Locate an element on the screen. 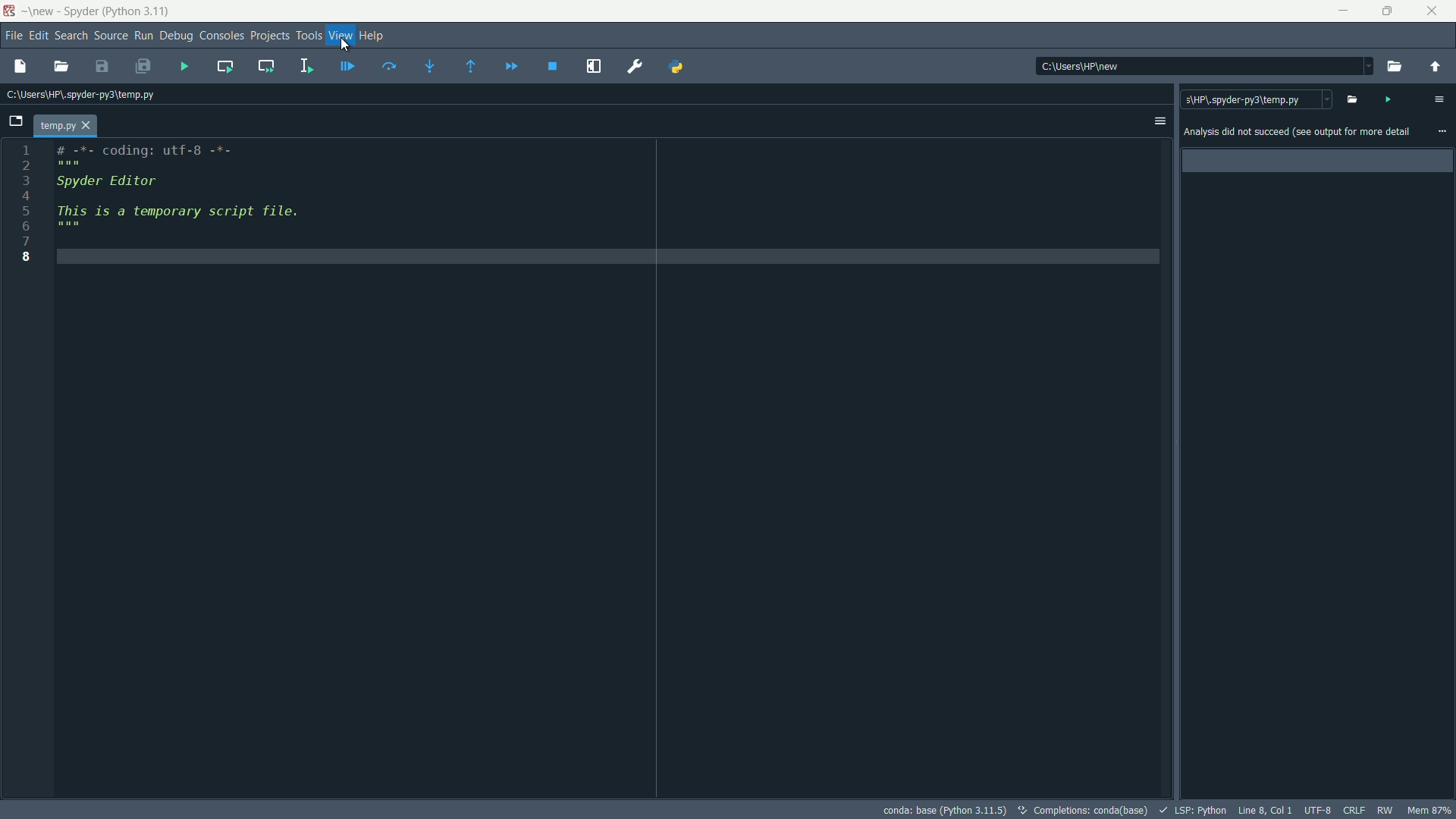 Image resolution: width=1456 pixels, height=819 pixels. help menu is located at coordinates (372, 36).